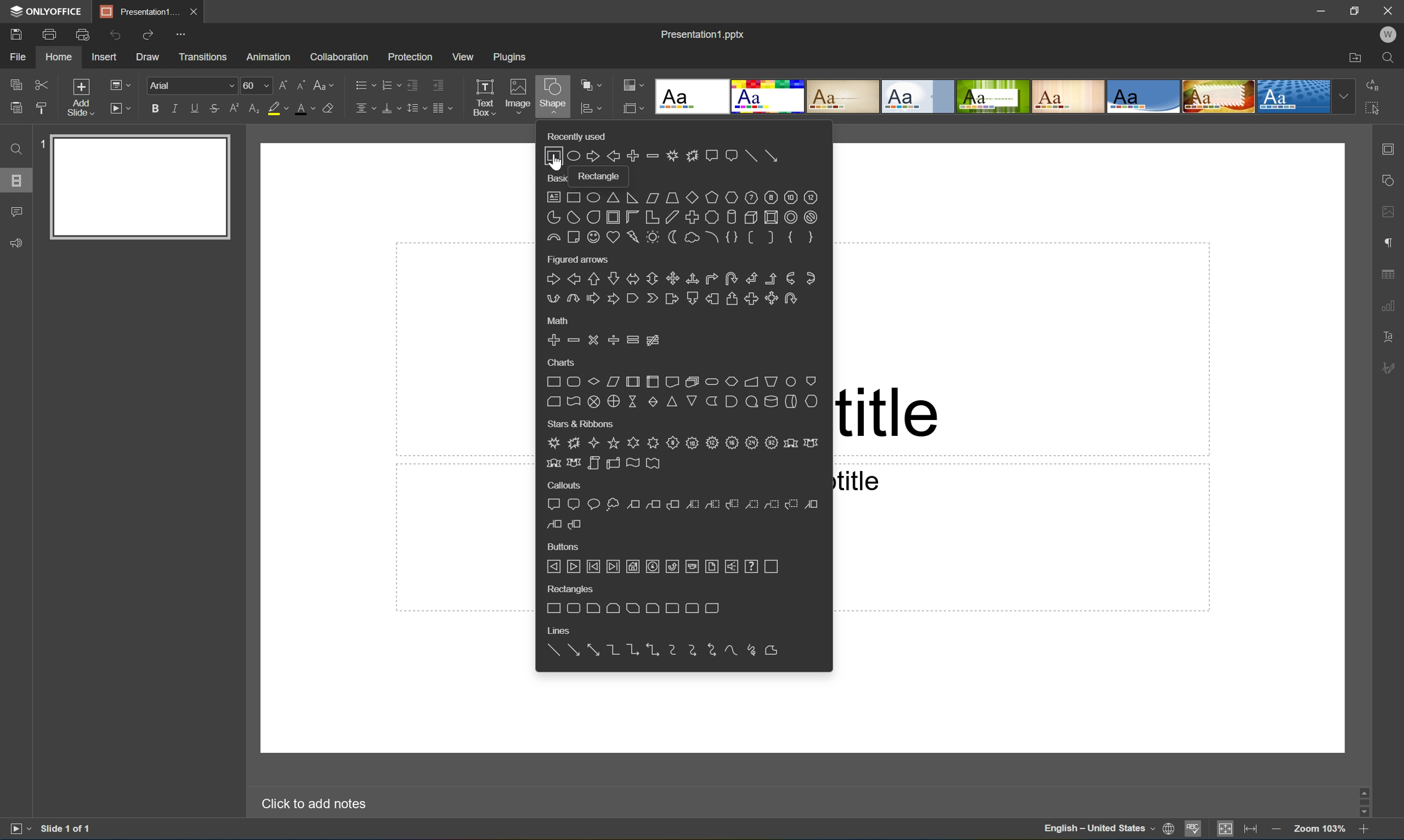  I want to click on Text box, so click(485, 97).